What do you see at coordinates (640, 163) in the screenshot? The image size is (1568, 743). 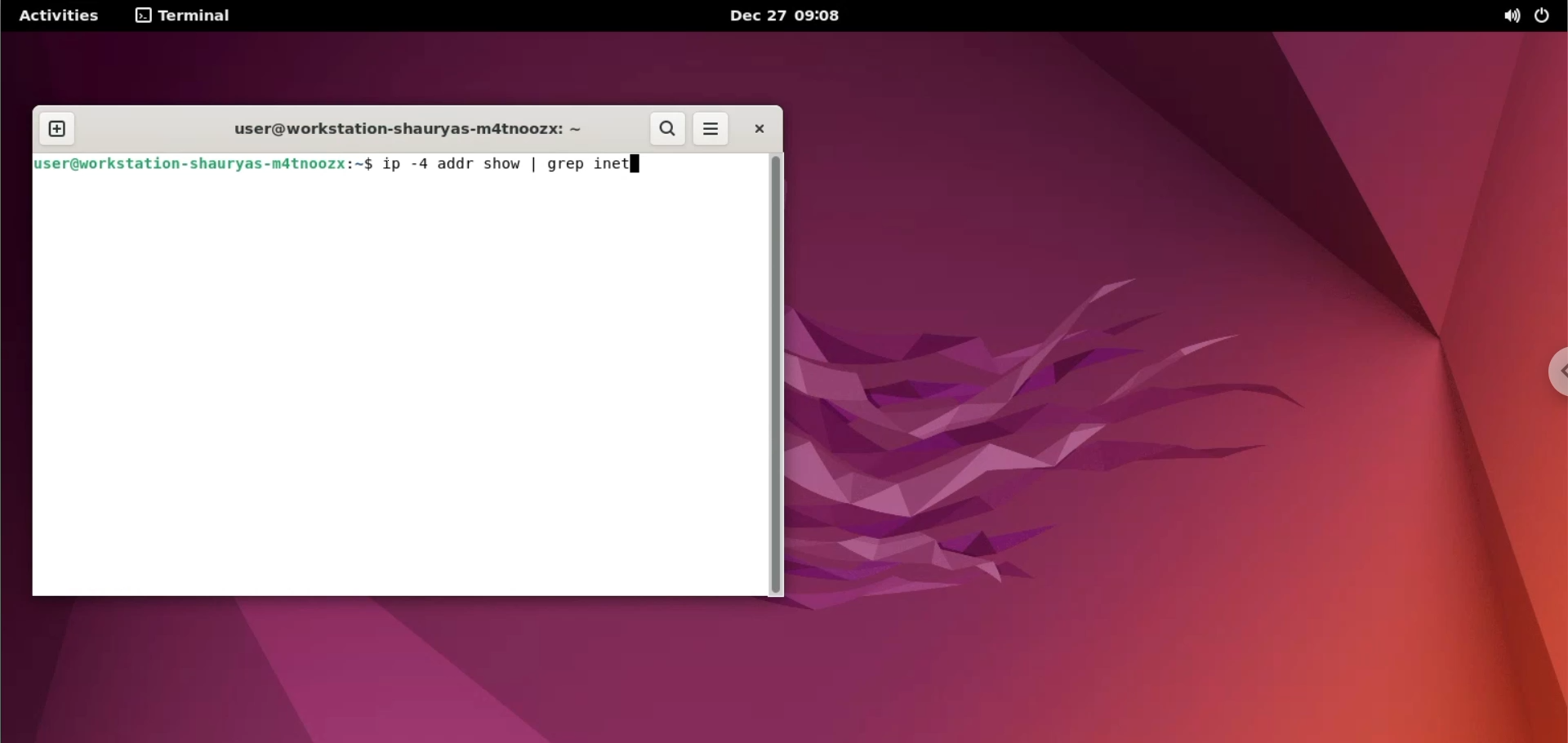 I see `terminal cursor` at bounding box center [640, 163].